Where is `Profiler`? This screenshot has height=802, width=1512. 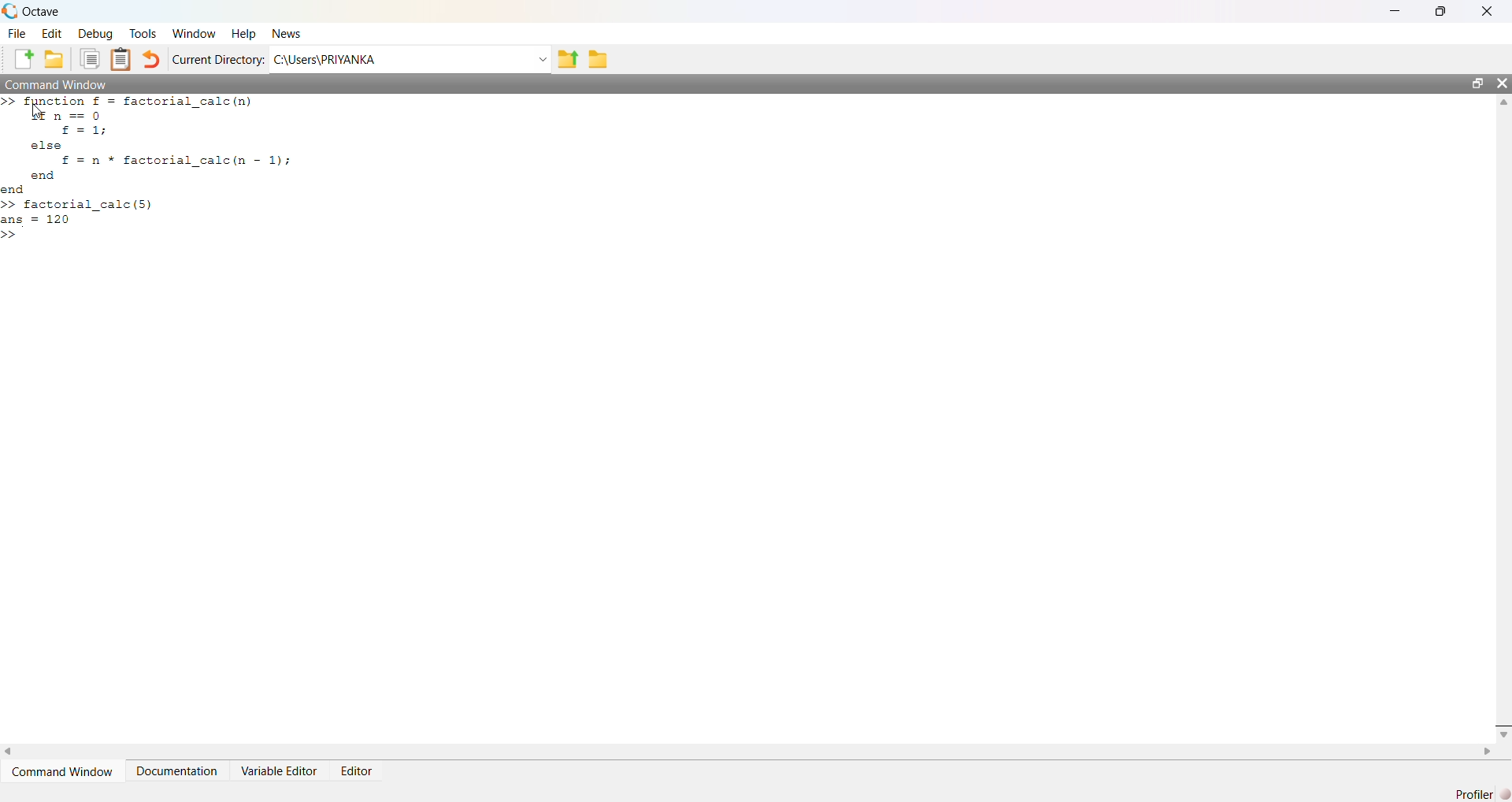 Profiler is located at coordinates (1481, 793).